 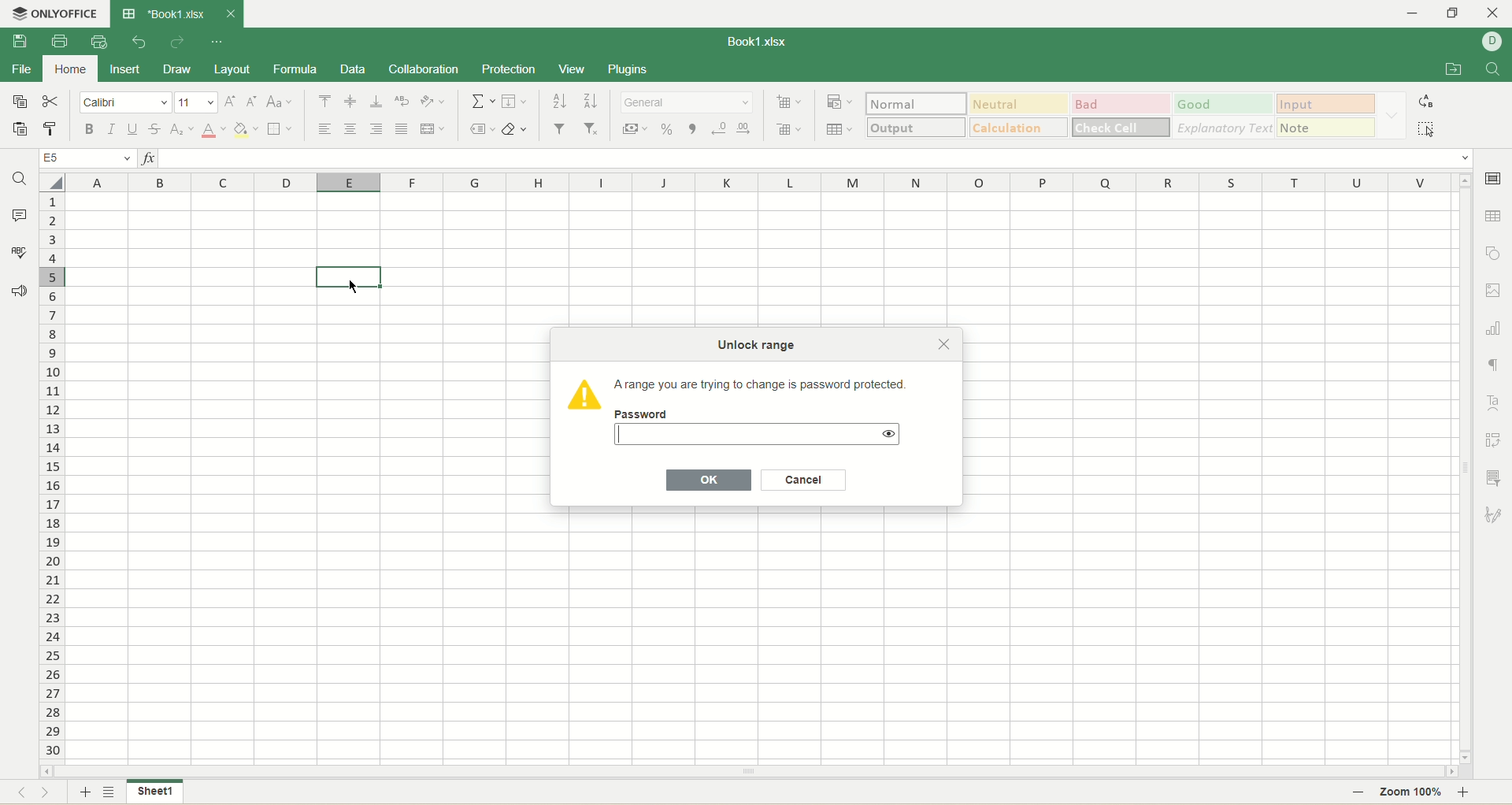 I want to click on sort descending, so click(x=591, y=102).